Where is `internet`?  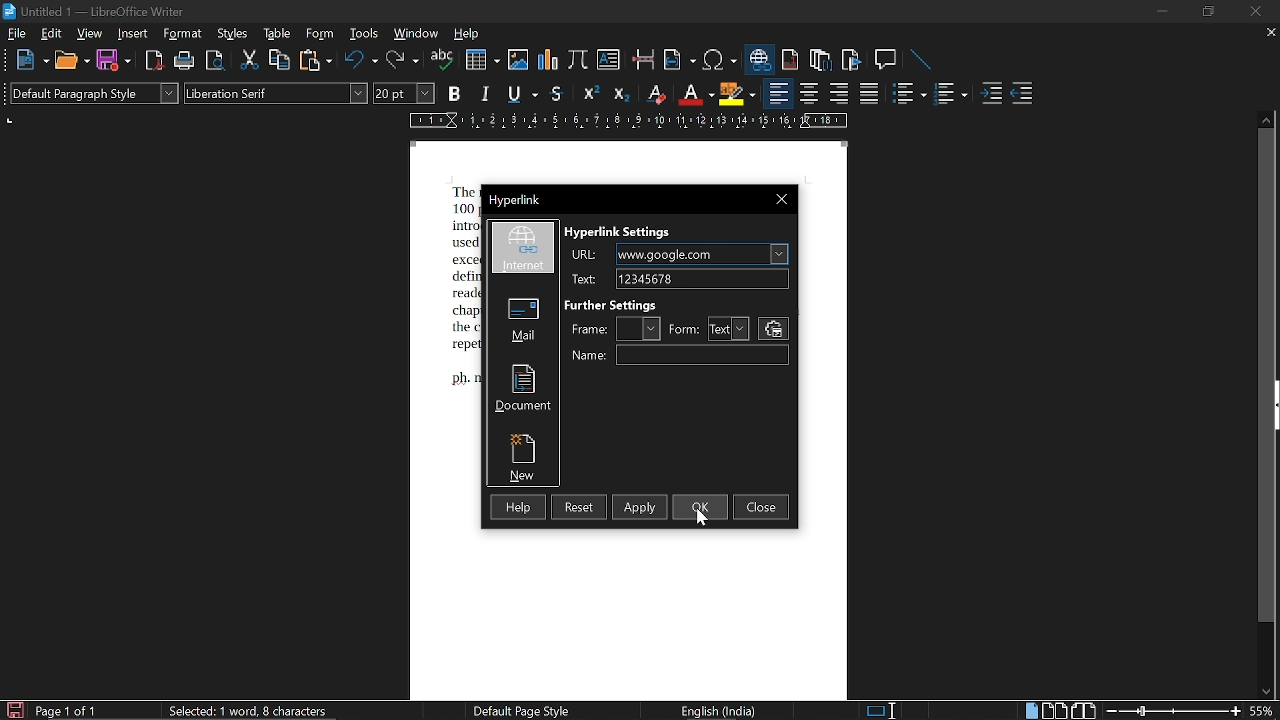
internet is located at coordinates (524, 249).